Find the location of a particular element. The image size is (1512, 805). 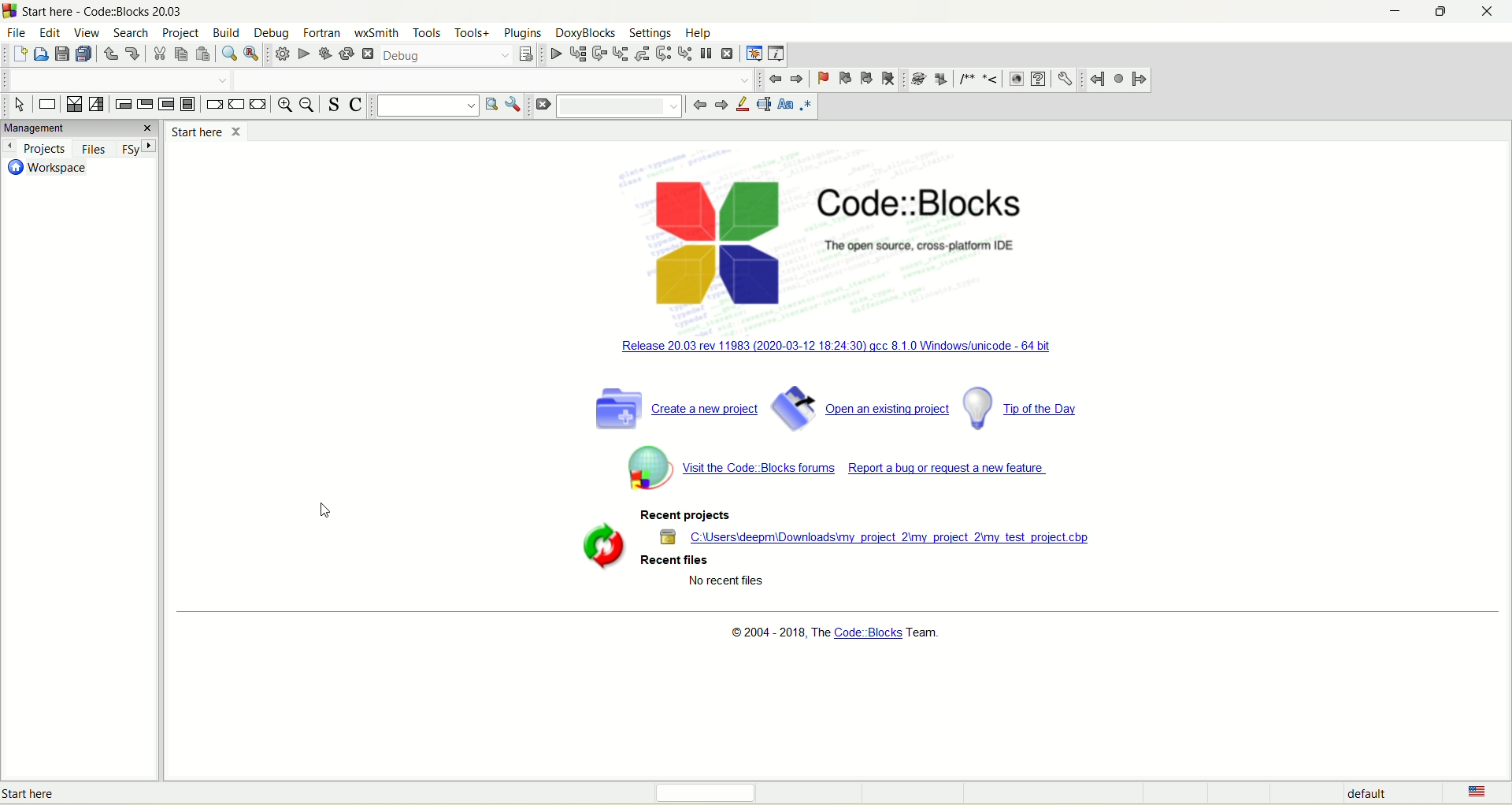

select is located at coordinates (21, 105).